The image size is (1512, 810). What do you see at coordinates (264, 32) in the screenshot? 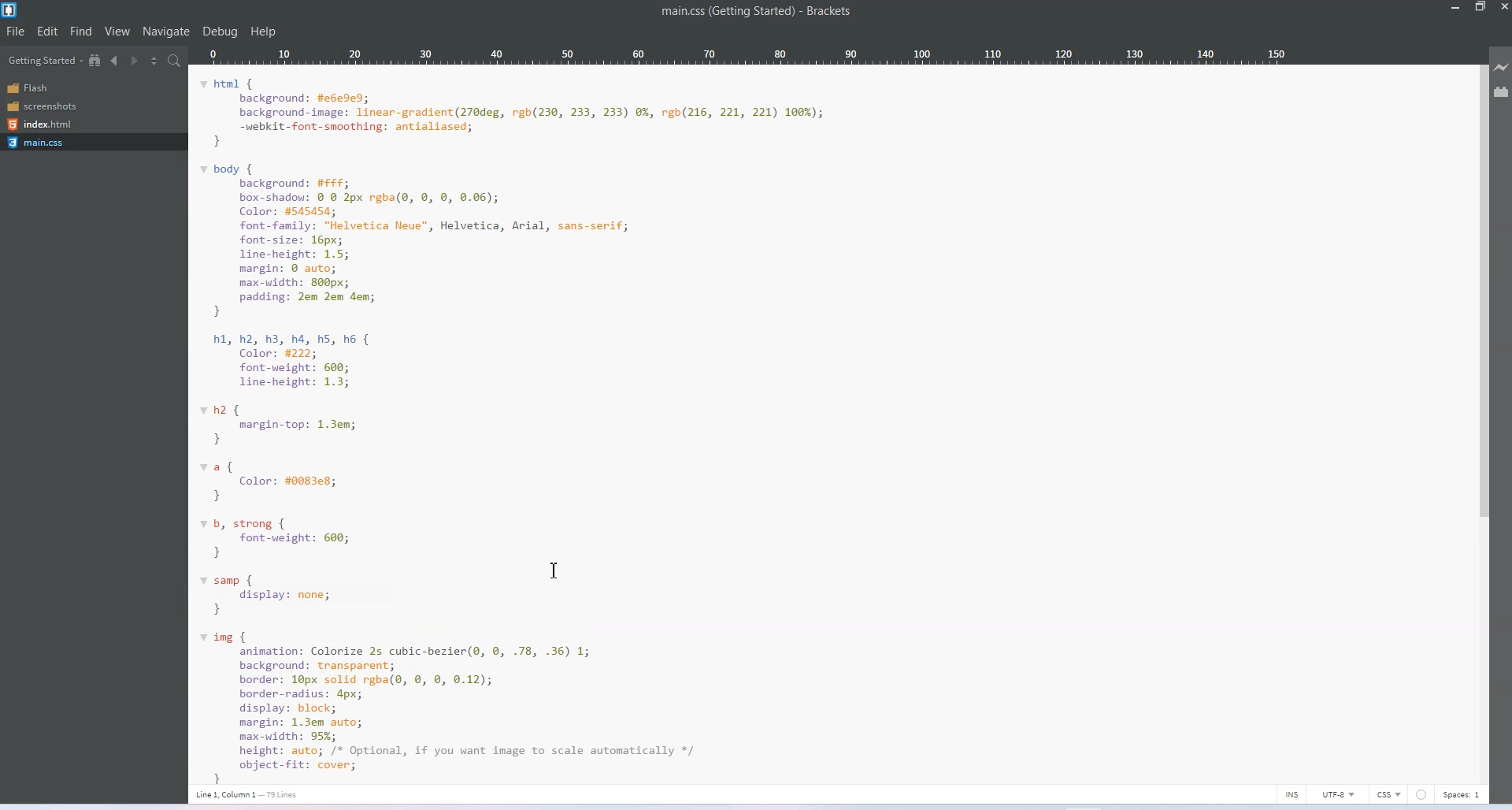
I see `Help` at bounding box center [264, 32].